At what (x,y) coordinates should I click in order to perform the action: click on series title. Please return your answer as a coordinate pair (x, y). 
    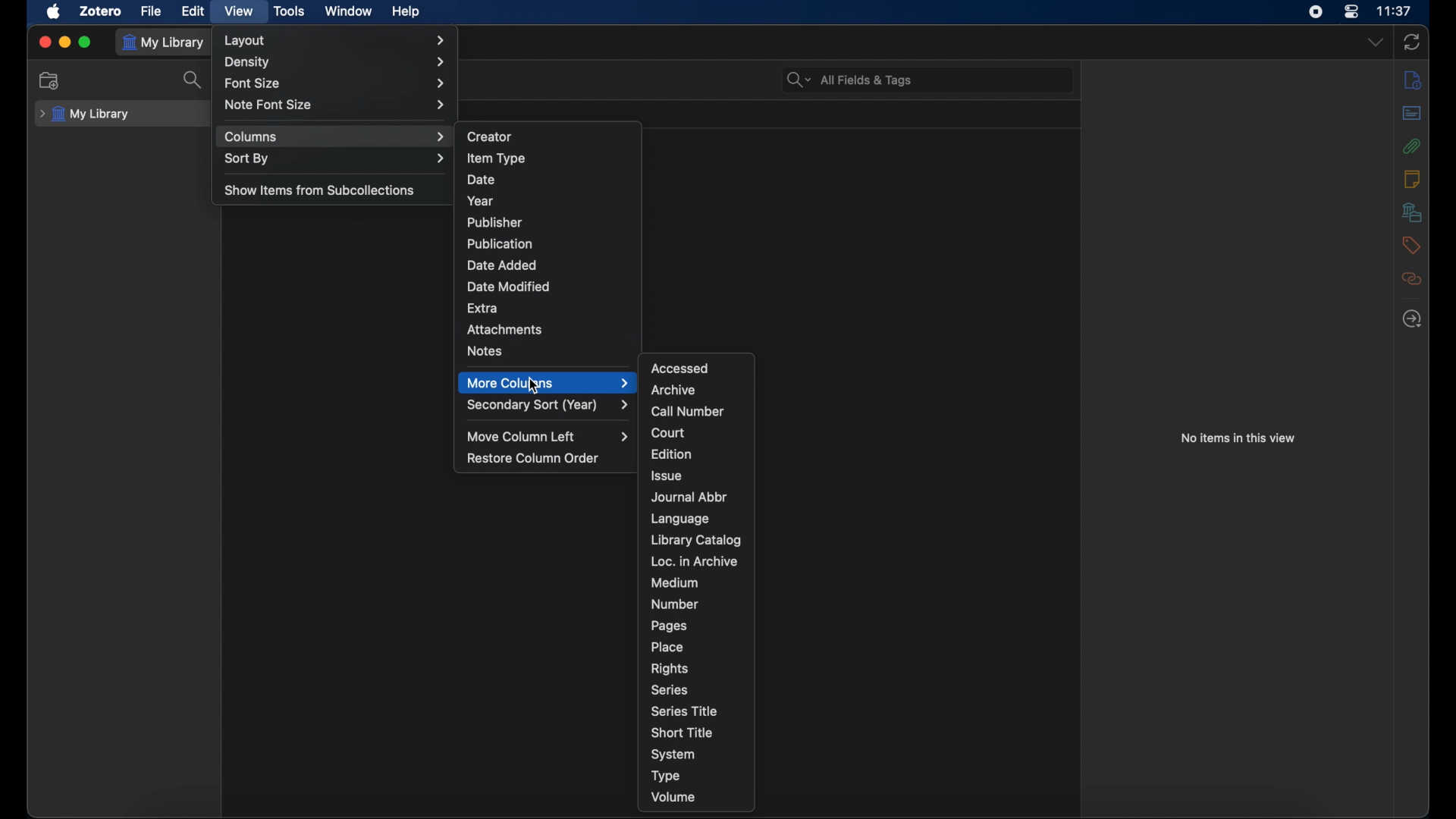
    Looking at the image, I should click on (684, 711).